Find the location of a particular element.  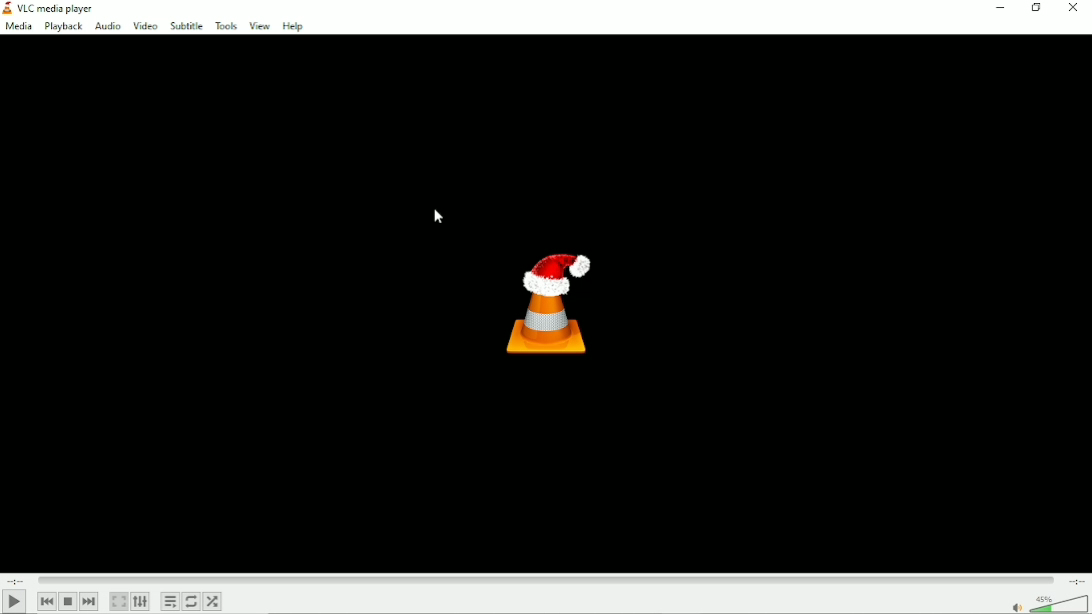

show extended settings is located at coordinates (141, 602).